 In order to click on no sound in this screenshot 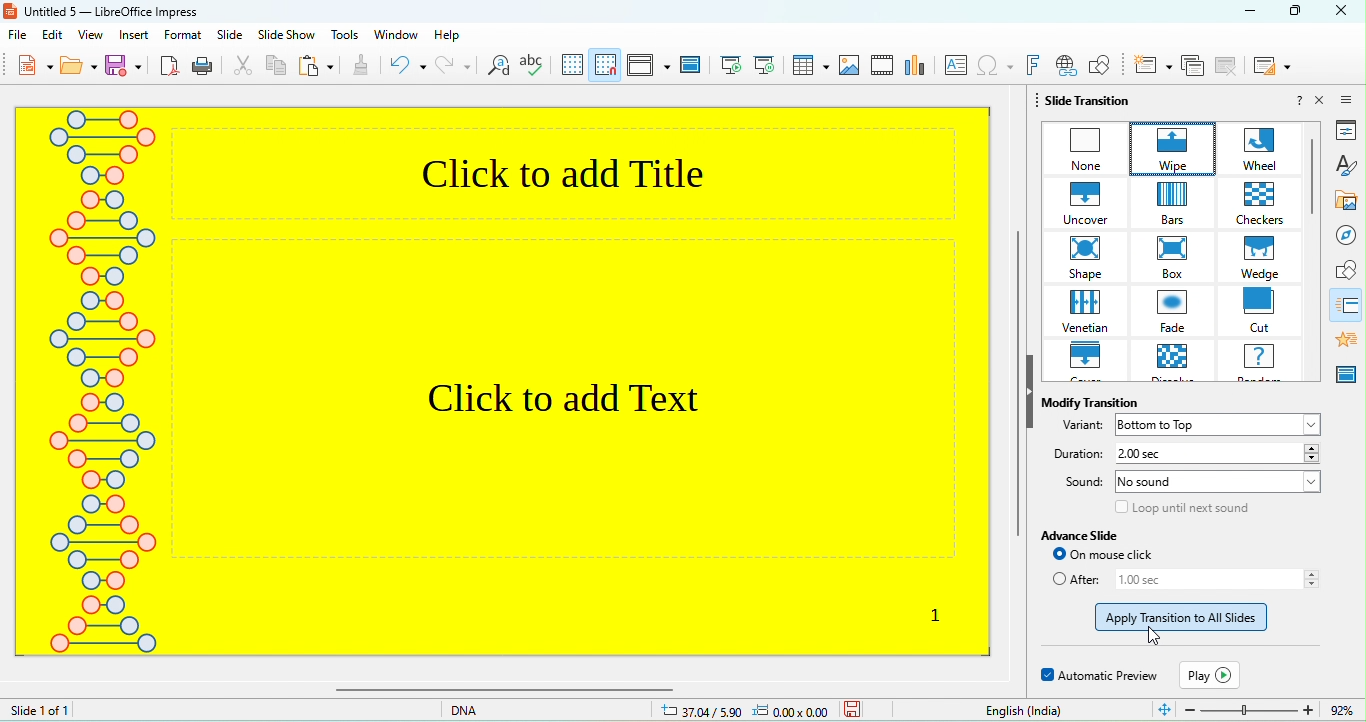, I will do `click(1218, 485)`.